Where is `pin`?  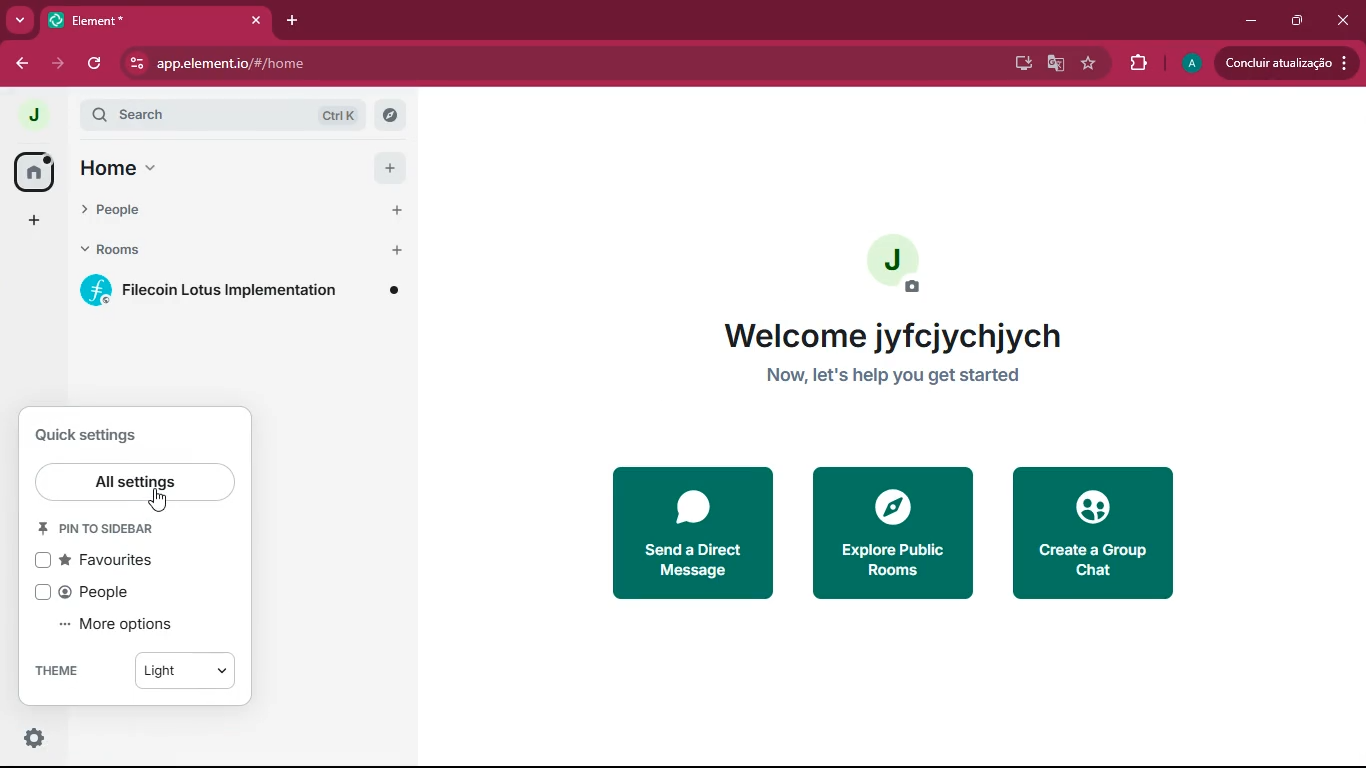 pin is located at coordinates (98, 529).